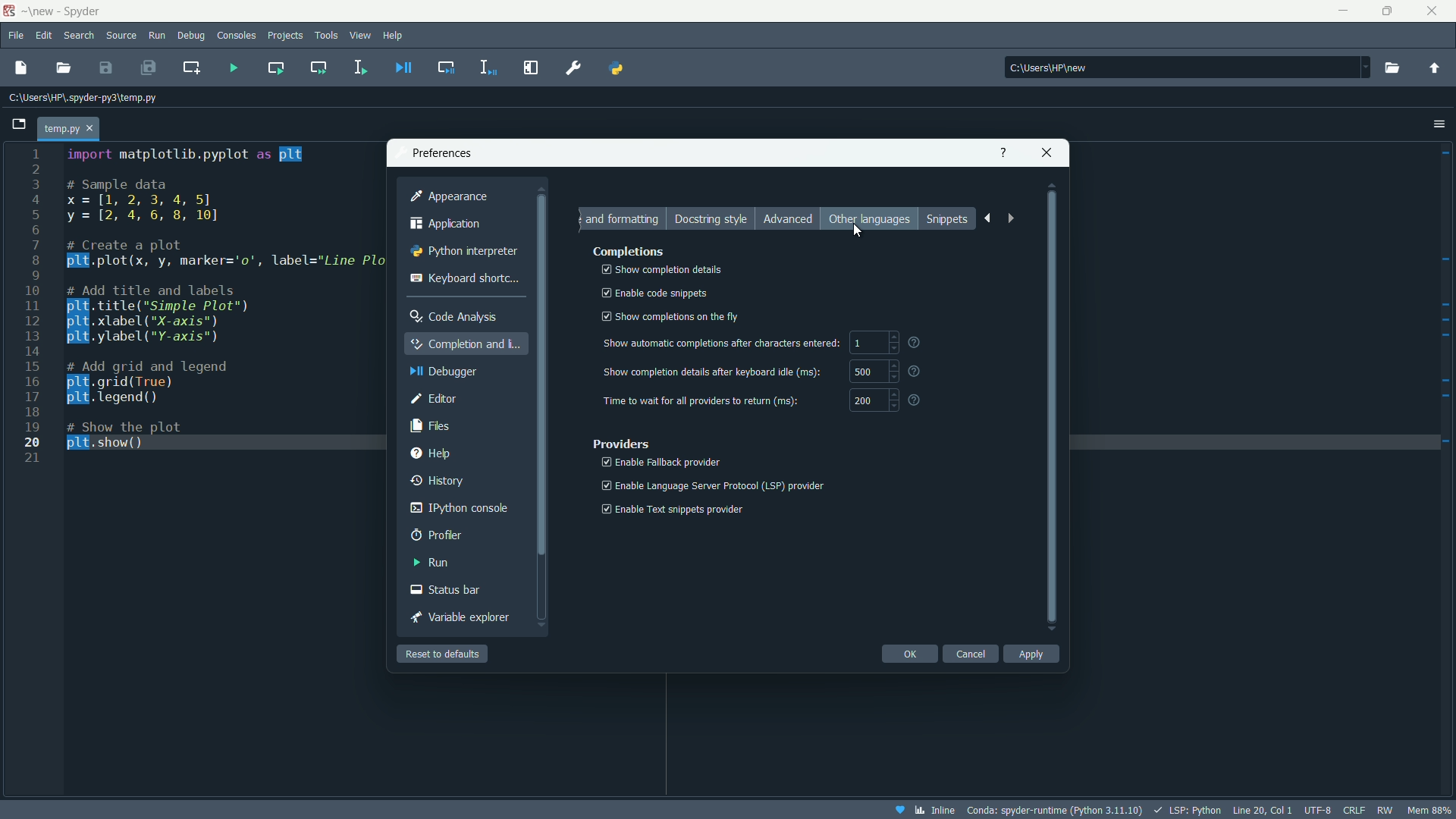 Image resolution: width=1456 pixels, height=819 pixels. What do you see at coordinates (433, 425) in the screenshot?
I see `files` at bounding box center [433, 425].